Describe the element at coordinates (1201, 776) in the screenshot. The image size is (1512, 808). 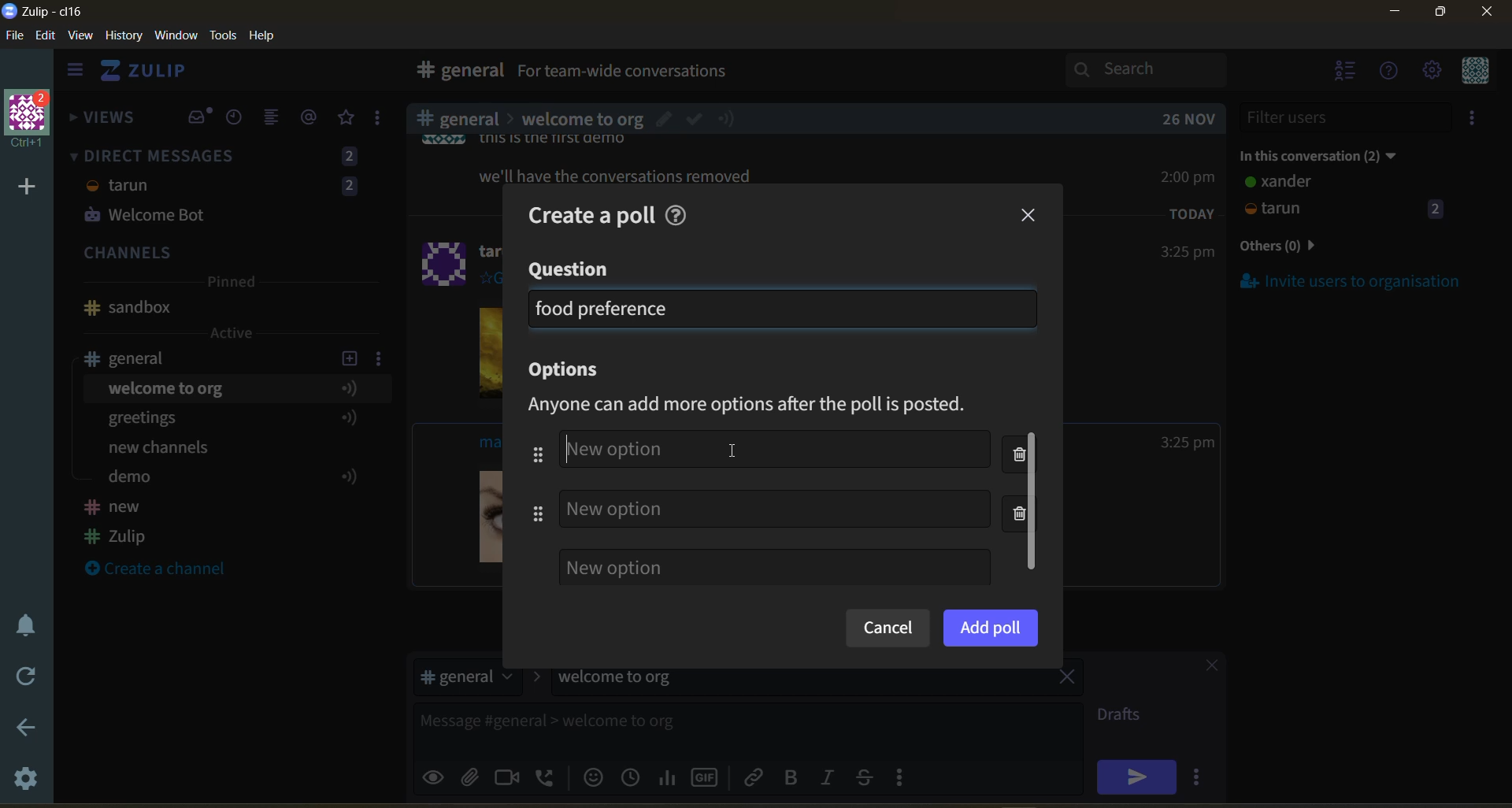
I see `send options` at that location.